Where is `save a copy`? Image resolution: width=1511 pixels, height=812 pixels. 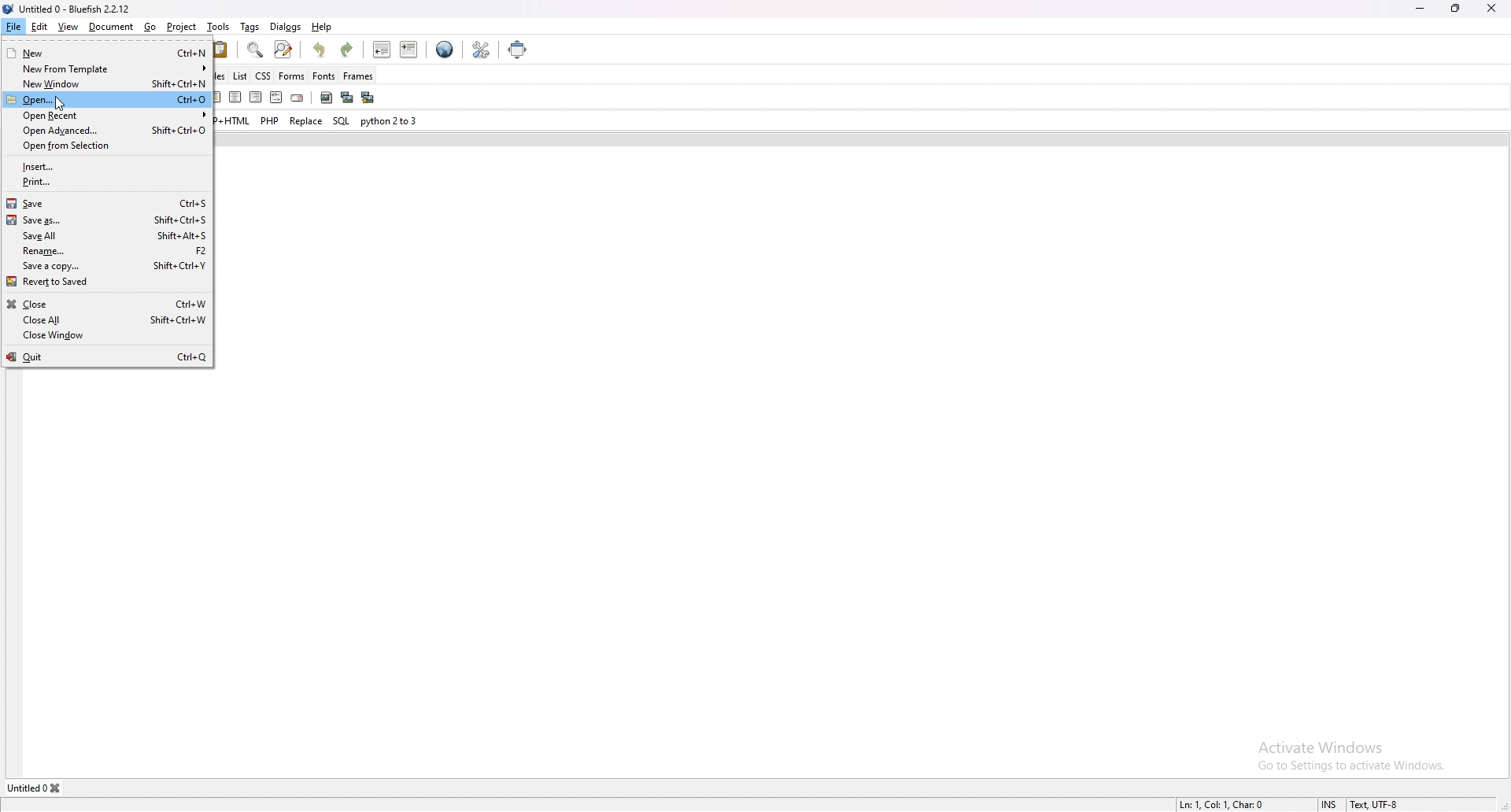
save a copy is located at coordinates (60, 264).